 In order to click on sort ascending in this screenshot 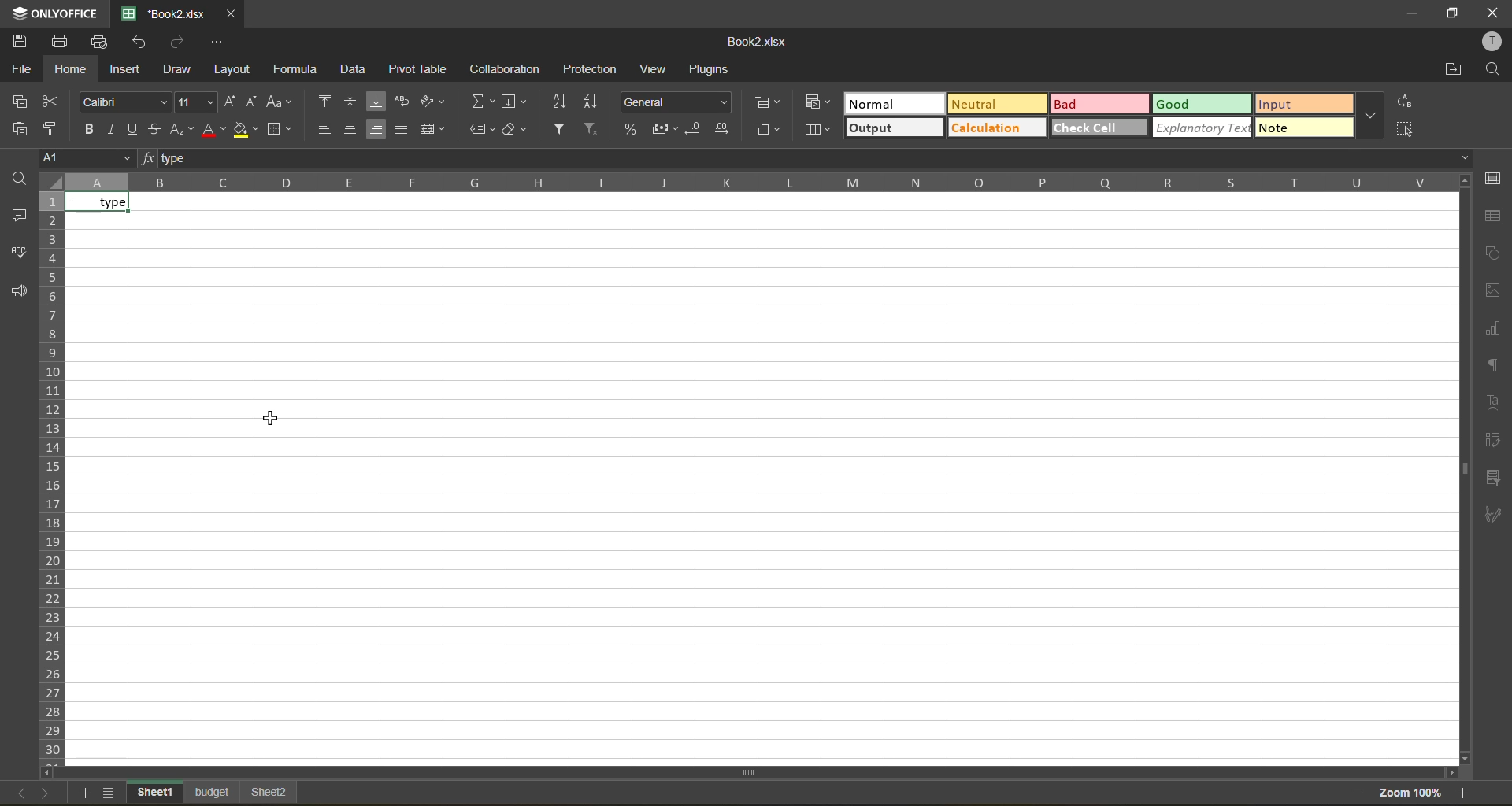, I will do `click(561, 102)`.